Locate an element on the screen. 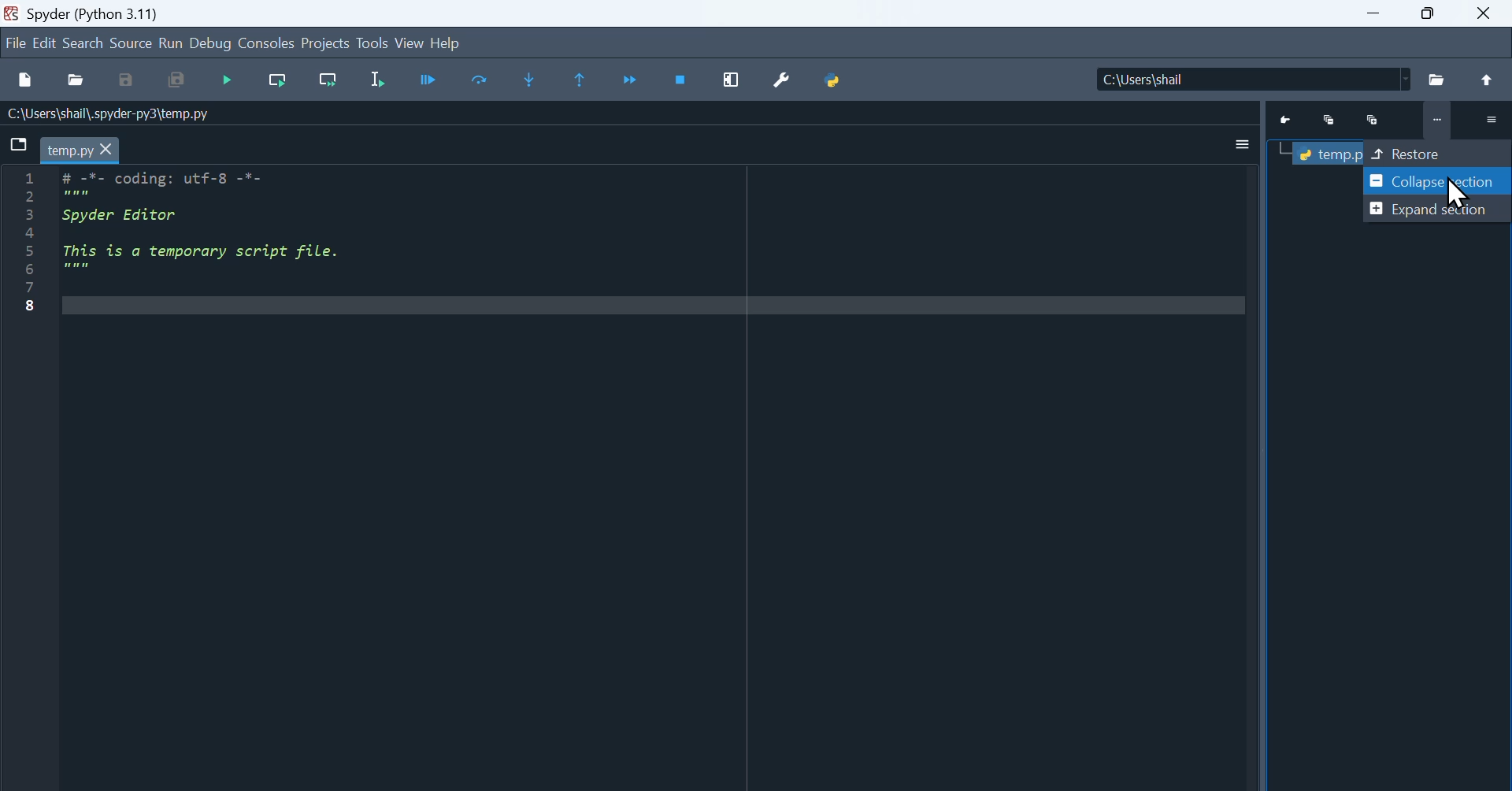 Image resolution: width=1512 pixels, height=791 pixels. Maximize current window is located at coordinates (732, 80).